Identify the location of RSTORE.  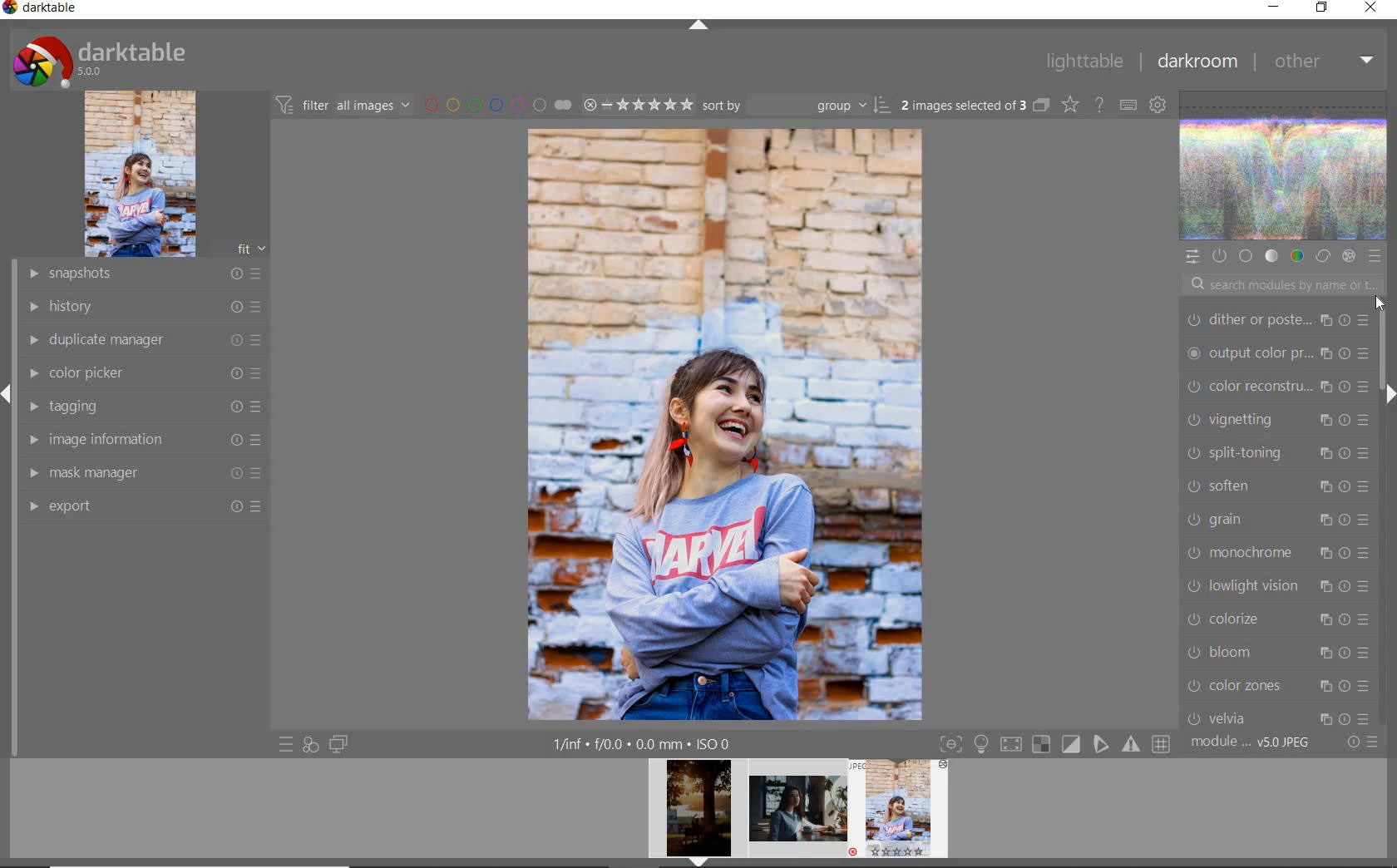
(1319, 8).